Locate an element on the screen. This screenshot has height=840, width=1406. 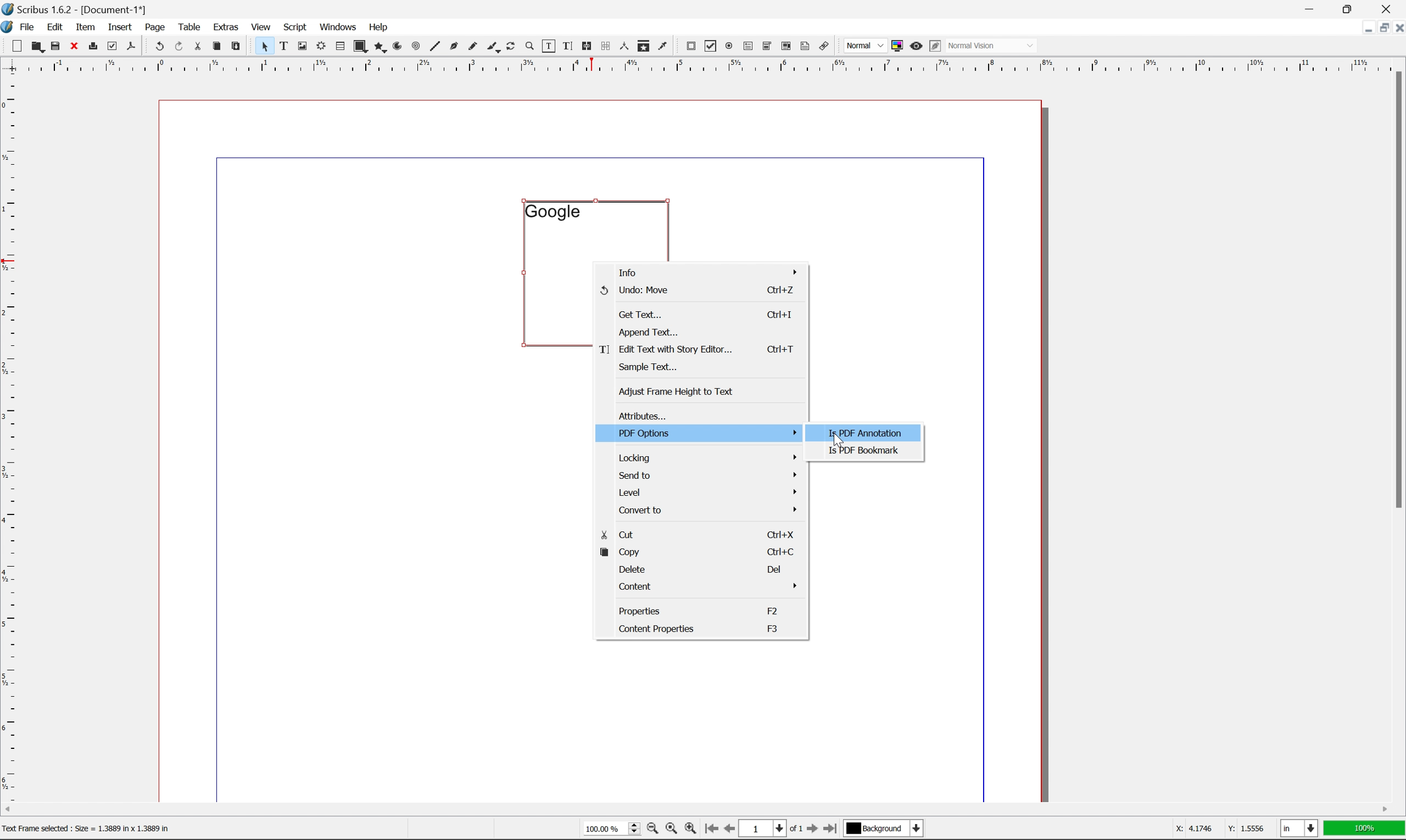
page is located at coordinates (155, 27).